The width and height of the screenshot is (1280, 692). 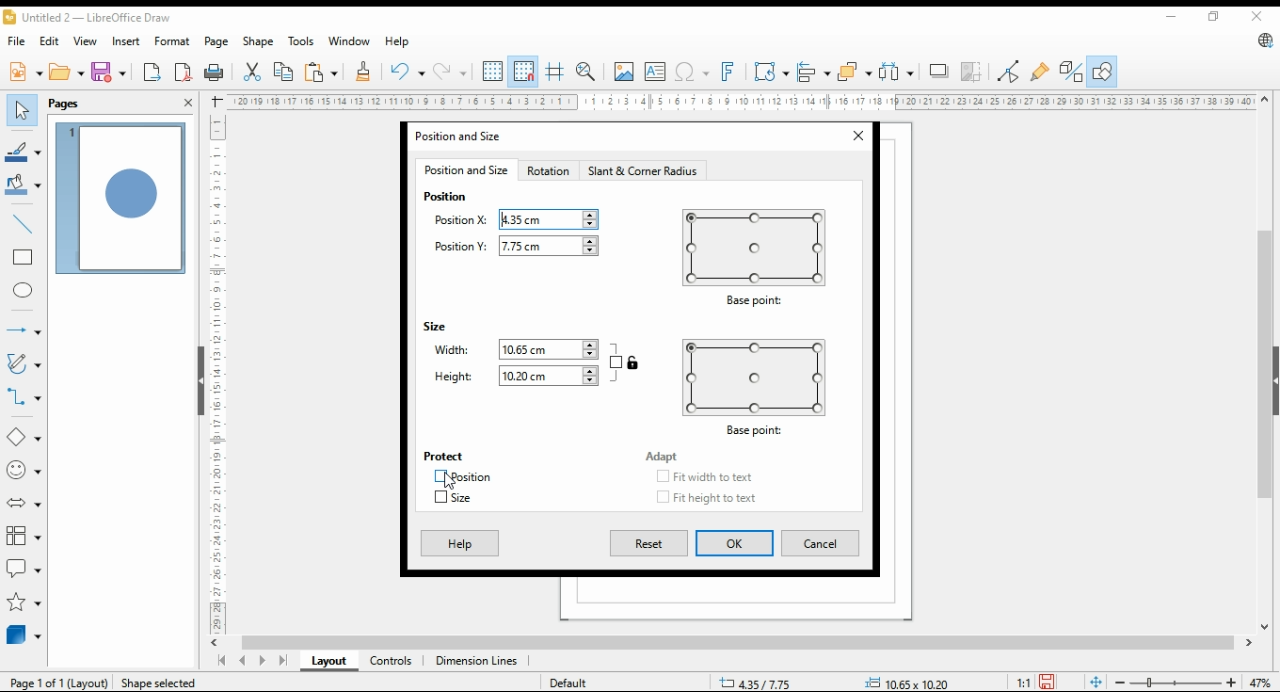 I want to click on base point preview, so click(x=750, y=255).